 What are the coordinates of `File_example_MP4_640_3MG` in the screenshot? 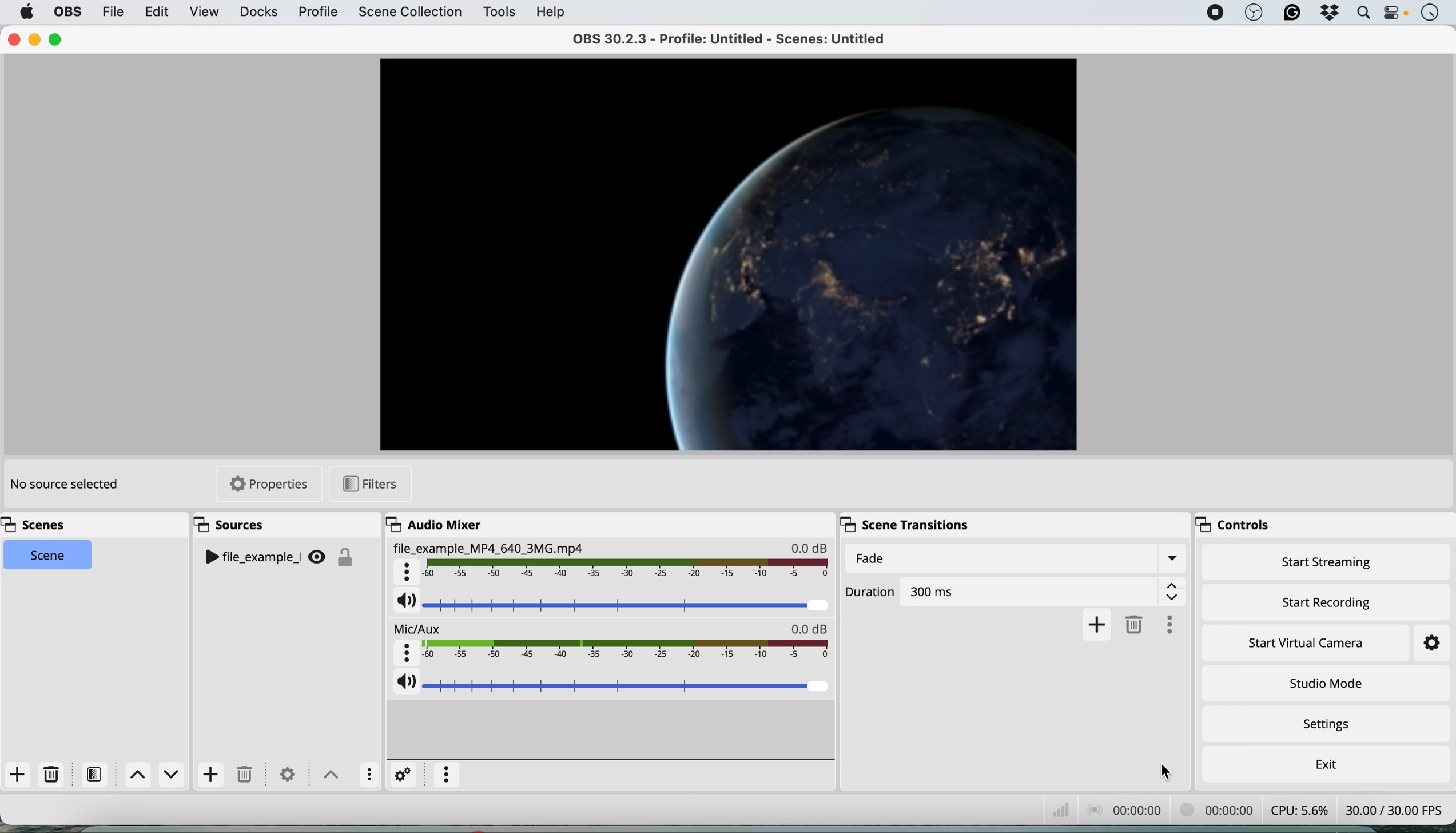 It's located at (610, 563).